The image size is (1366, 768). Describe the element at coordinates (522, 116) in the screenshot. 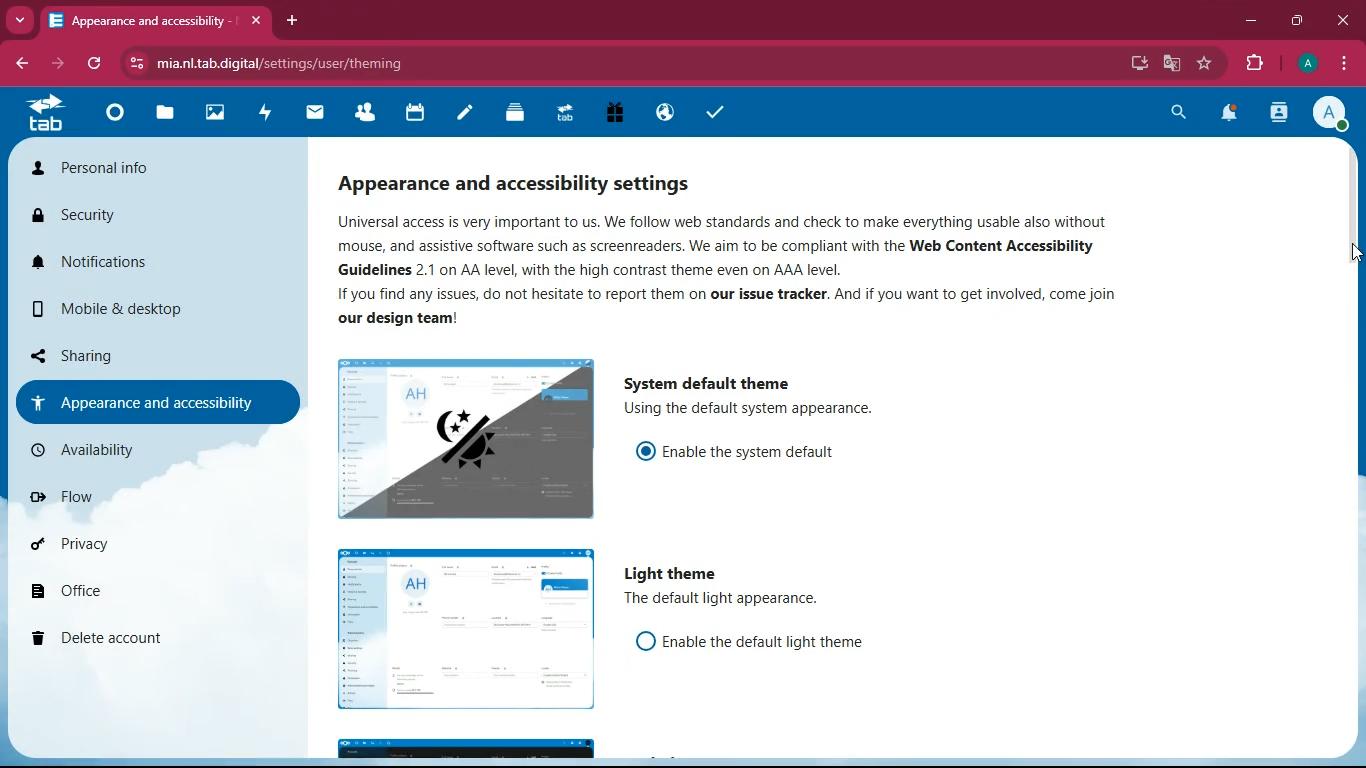

I see `layers` at that location.